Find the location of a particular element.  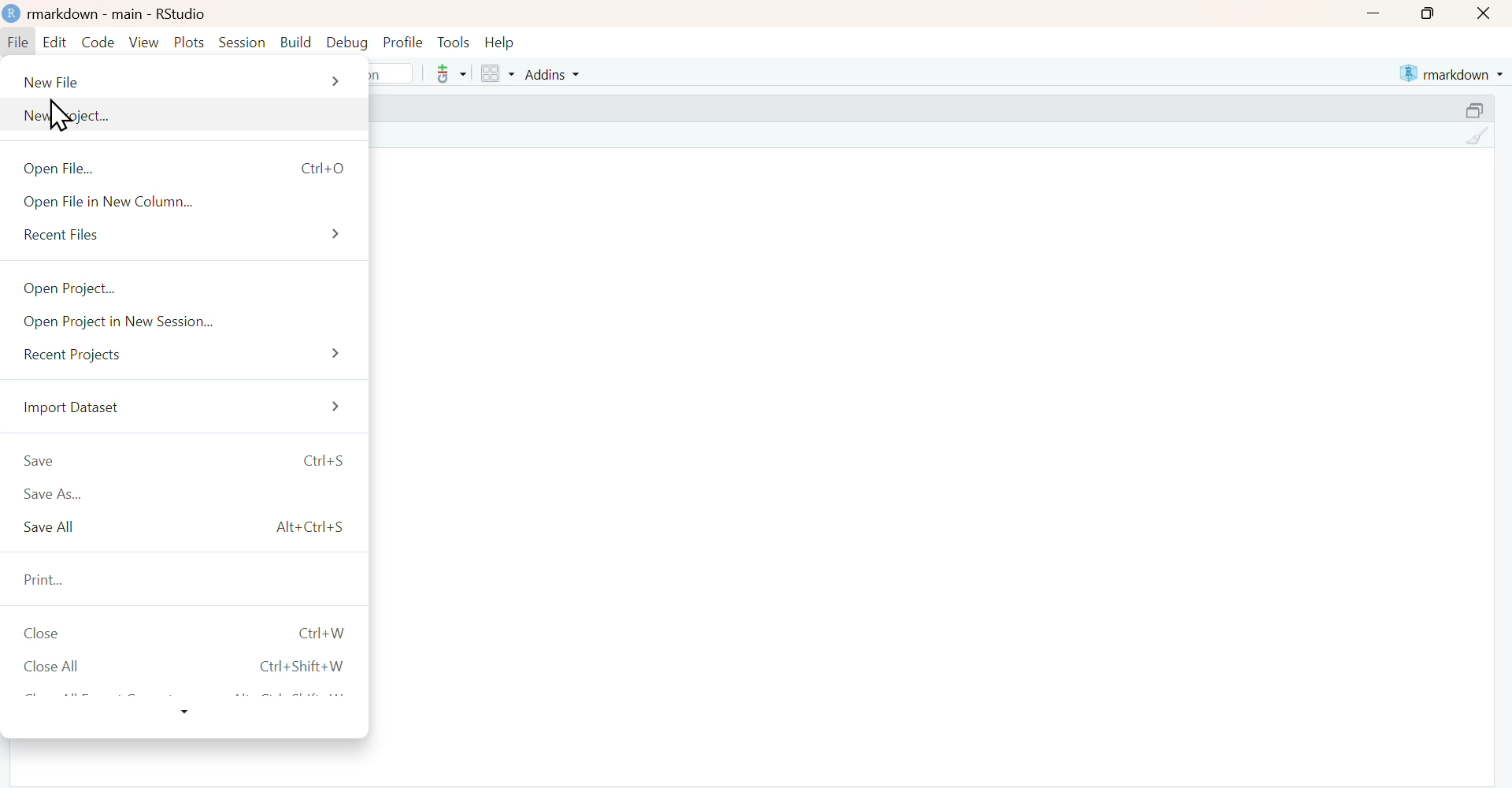

close all is located at coordinates (191, 666).